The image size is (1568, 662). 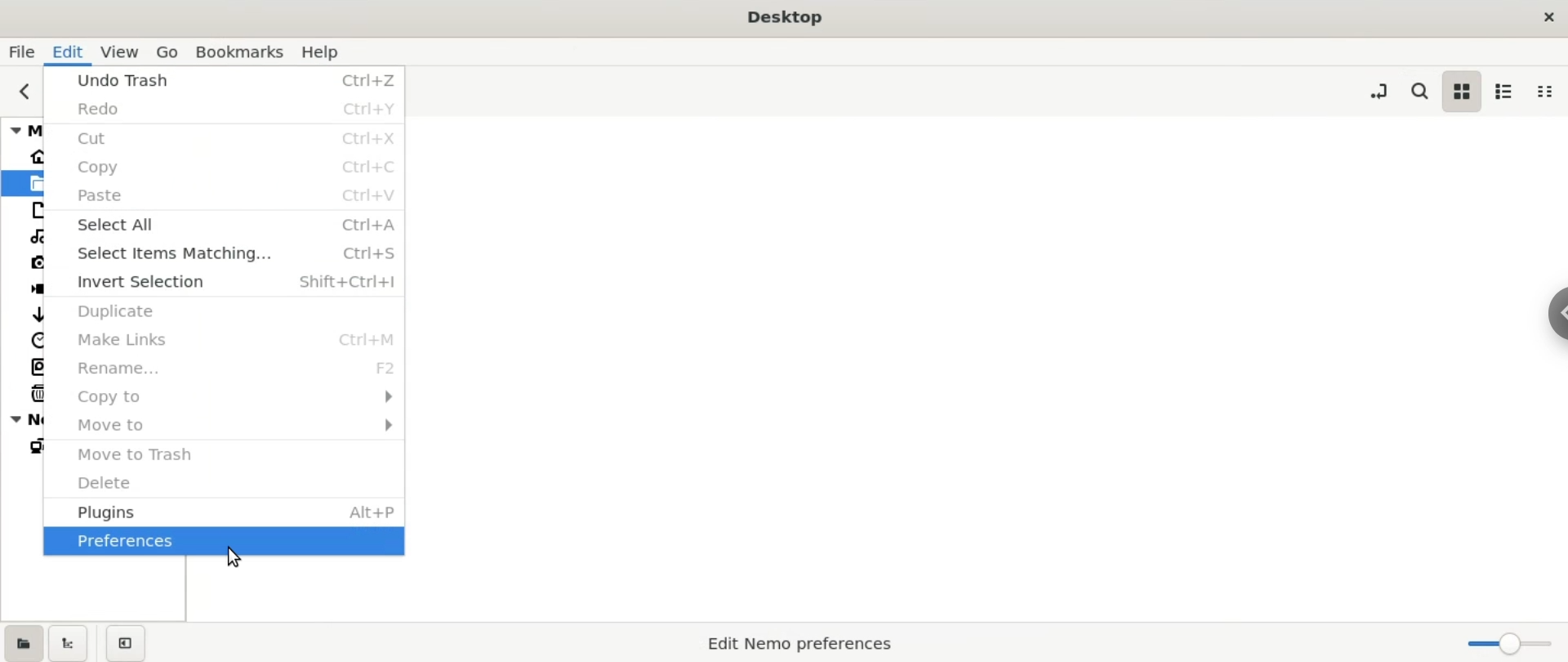 I want to click on paste, so click(x=222, y=196).